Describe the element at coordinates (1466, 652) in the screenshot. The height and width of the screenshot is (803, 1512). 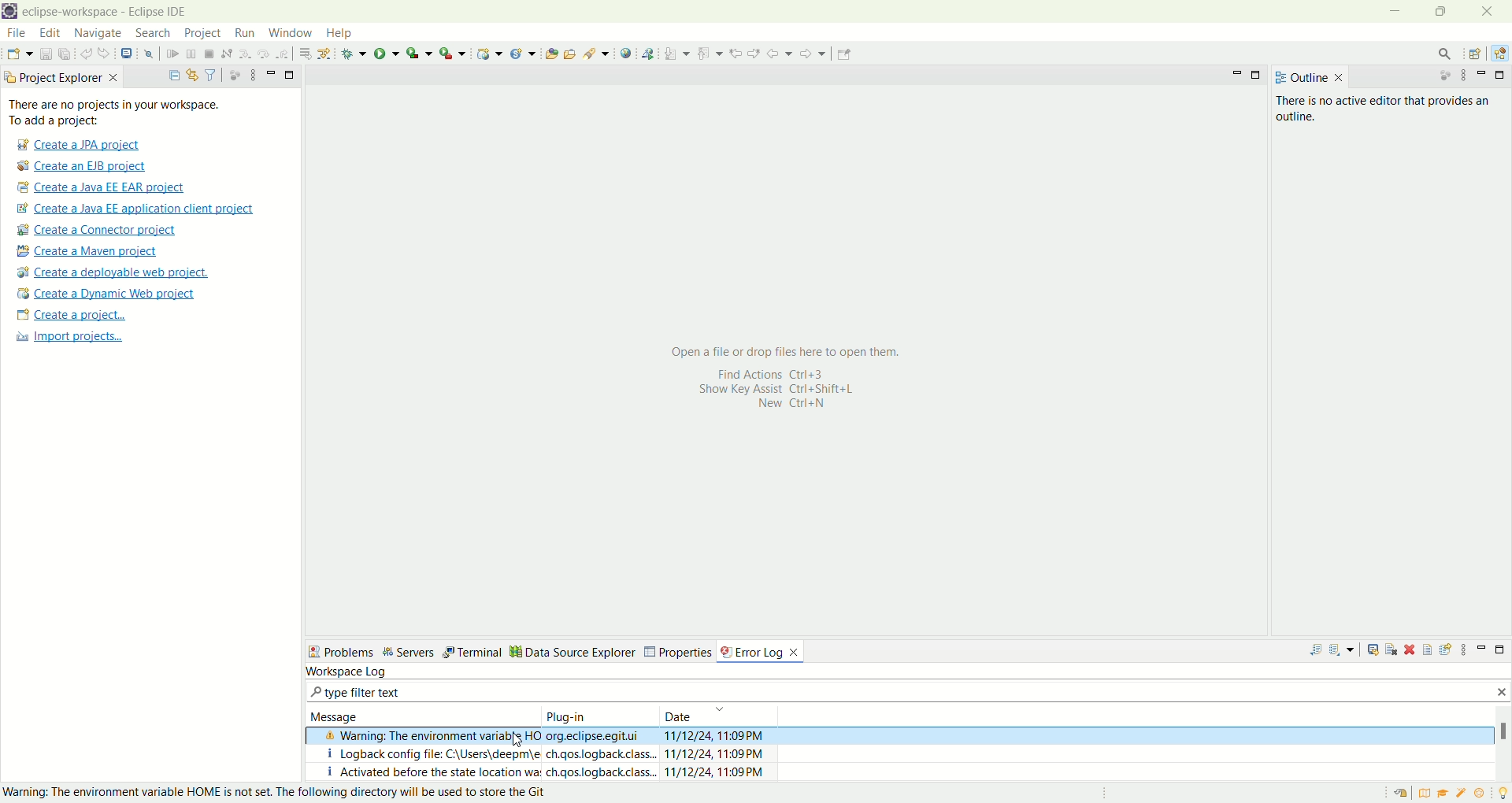
I see `view menu` at that location.